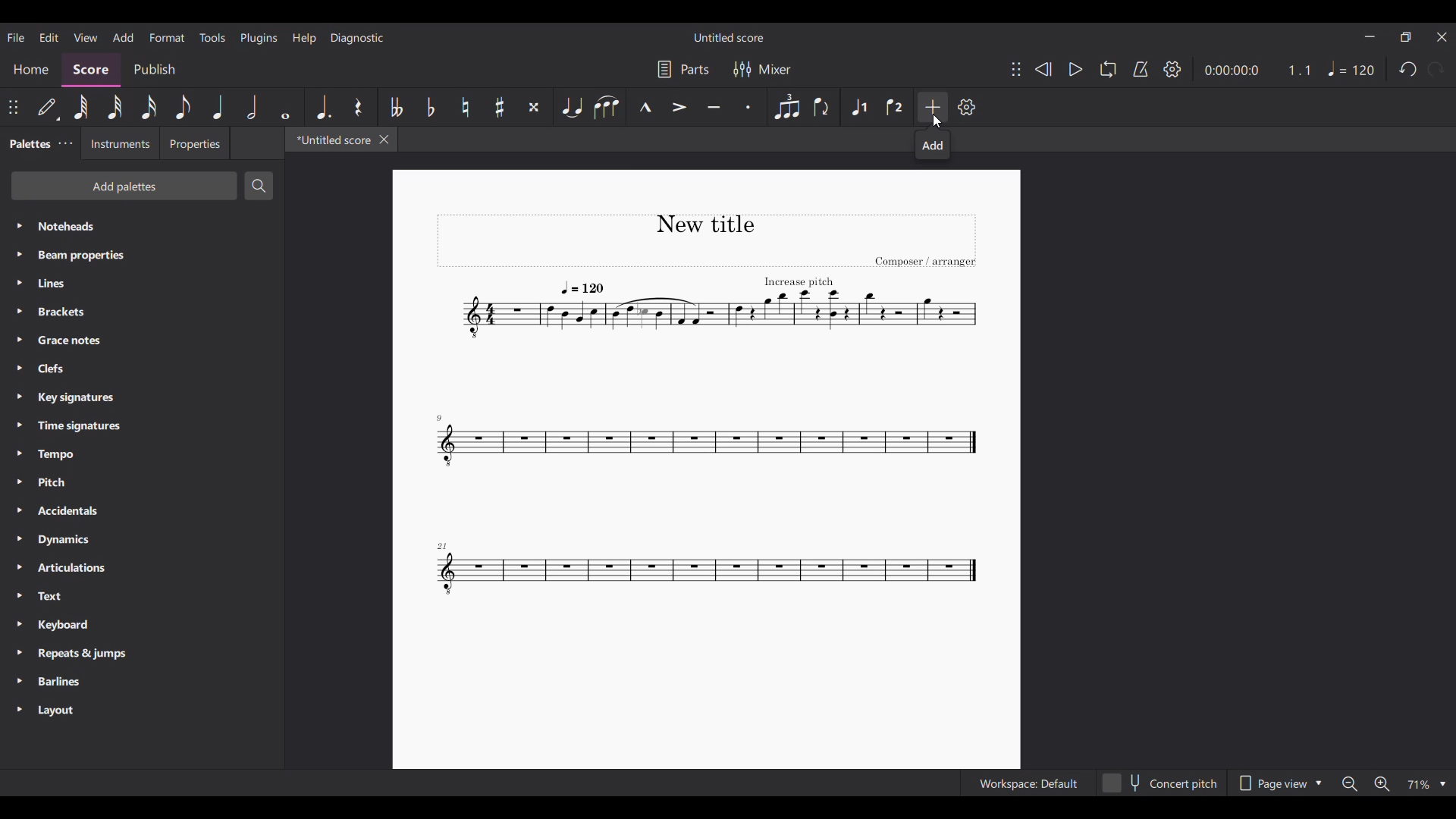 This screenshot has height=819, width=1456. Describe the element at coordinates (141, 654) in the screenshot. I see `Repeats & jumps` at that location.